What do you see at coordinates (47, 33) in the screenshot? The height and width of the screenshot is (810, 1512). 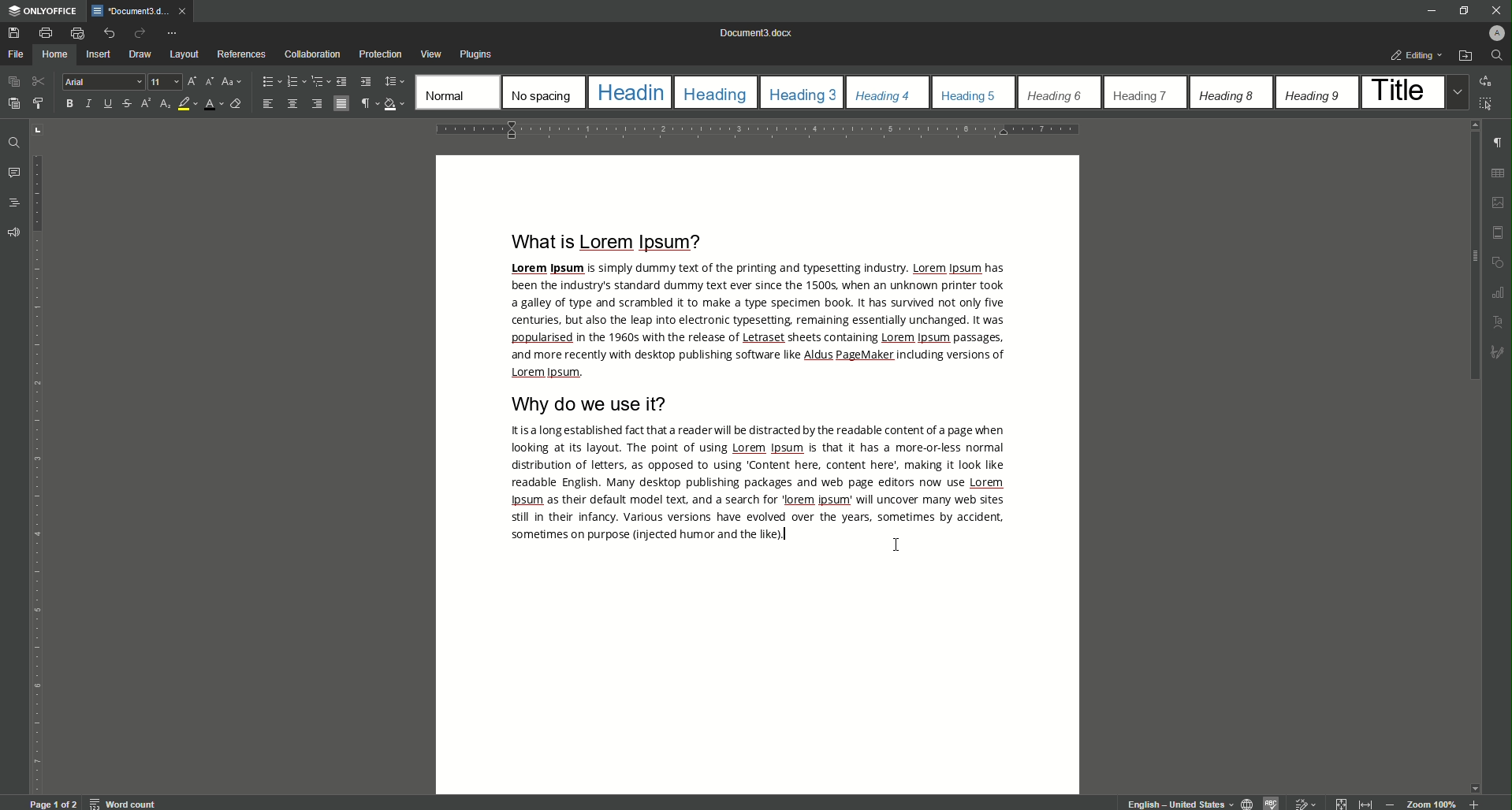 I see `Print` at bounding box center [47, 33].